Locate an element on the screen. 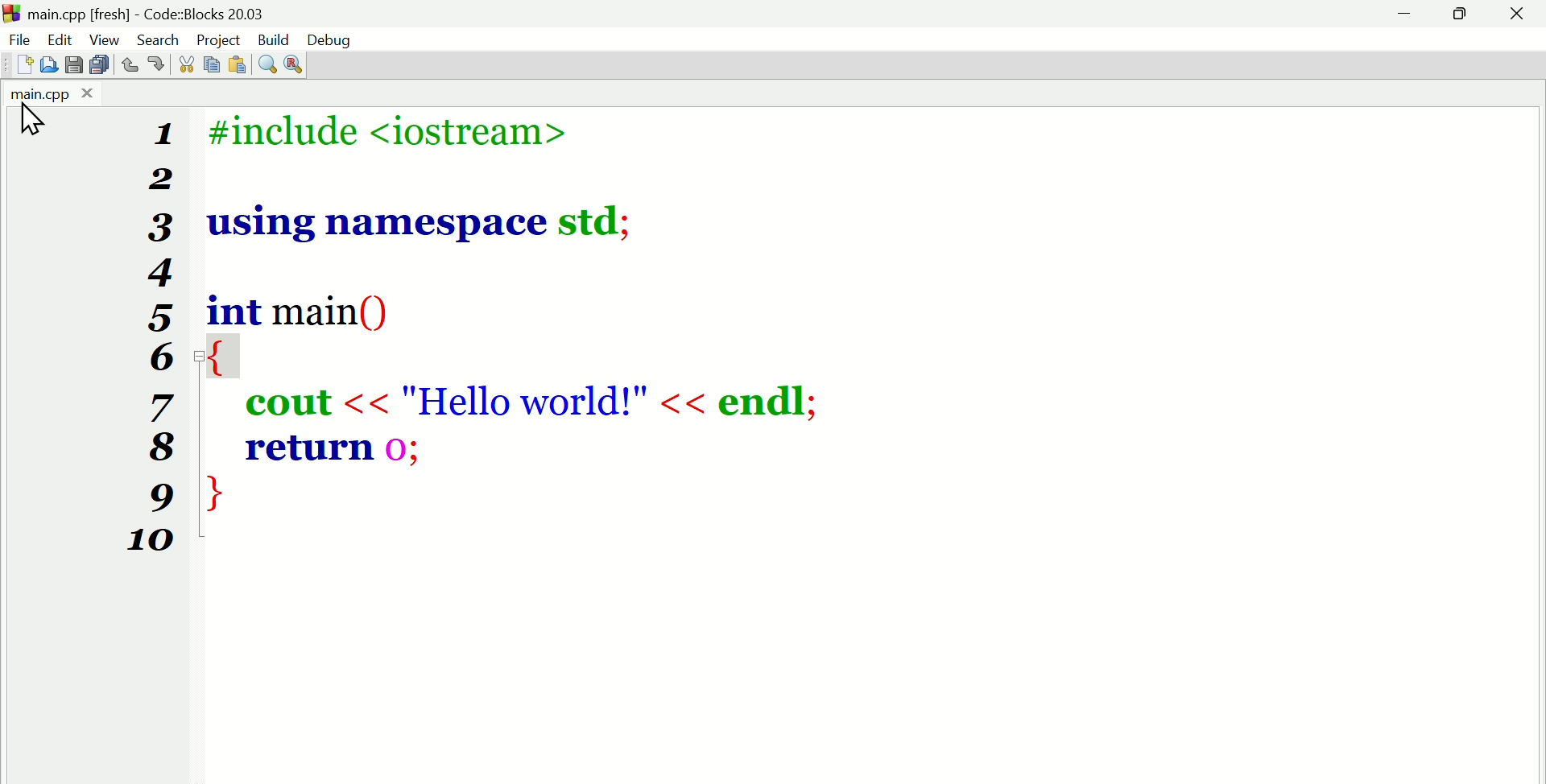  add is located at coordinates (24, 65).